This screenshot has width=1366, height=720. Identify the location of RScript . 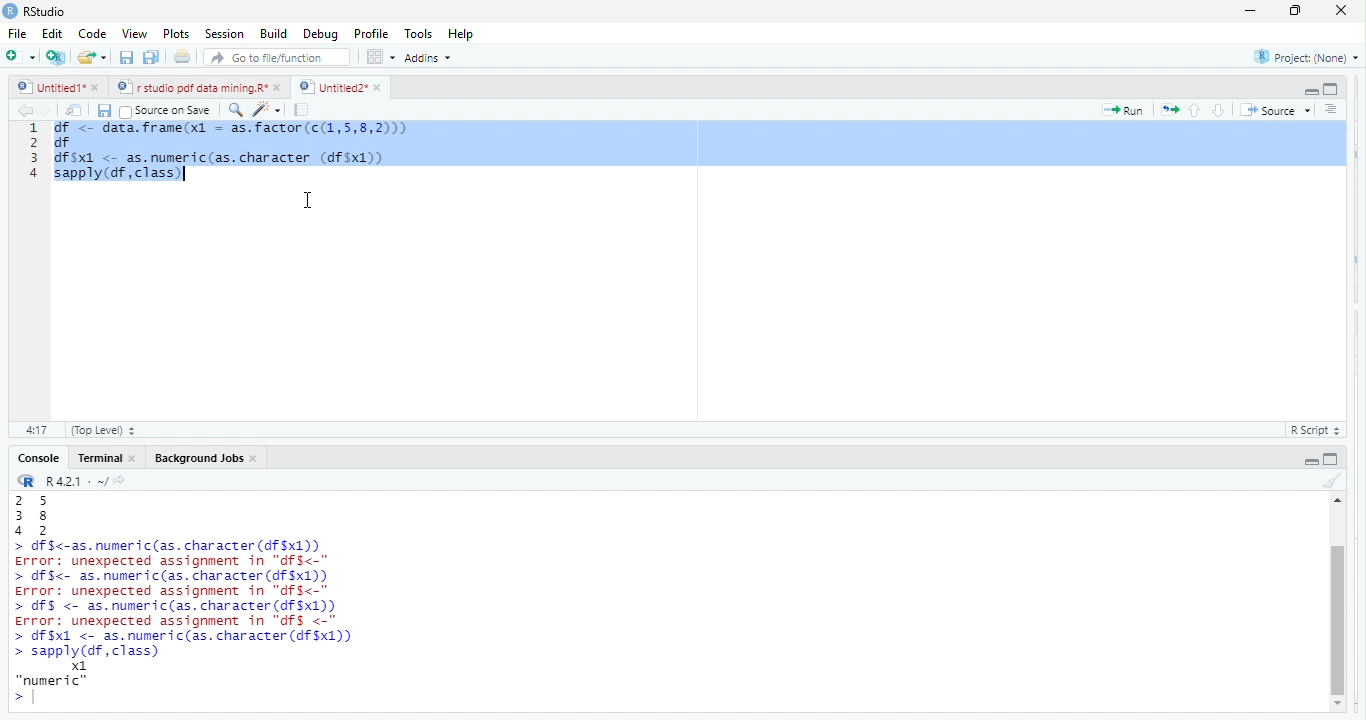
(1312, 430).